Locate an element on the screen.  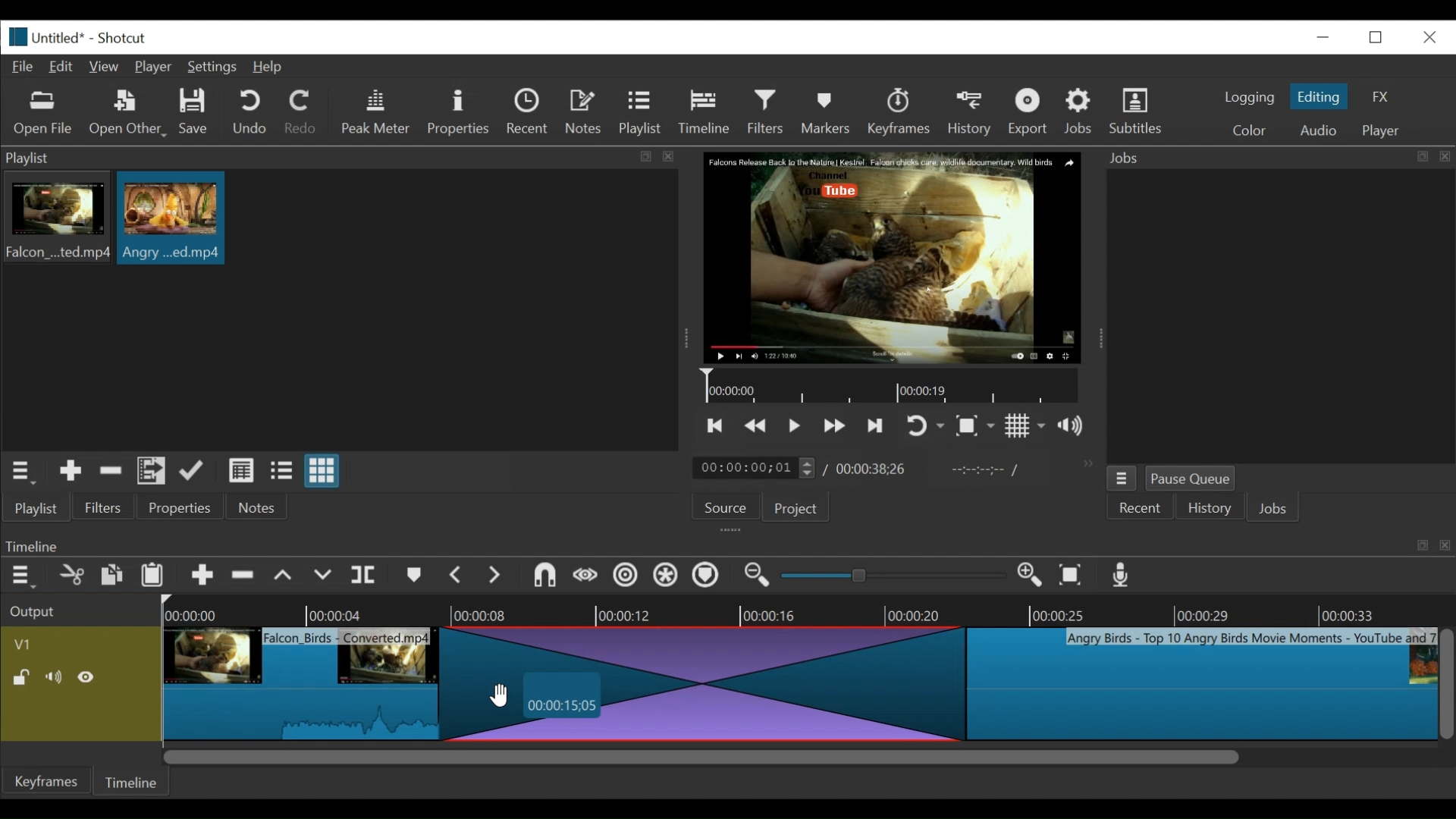
Properties is located at coordinates (460, 112).